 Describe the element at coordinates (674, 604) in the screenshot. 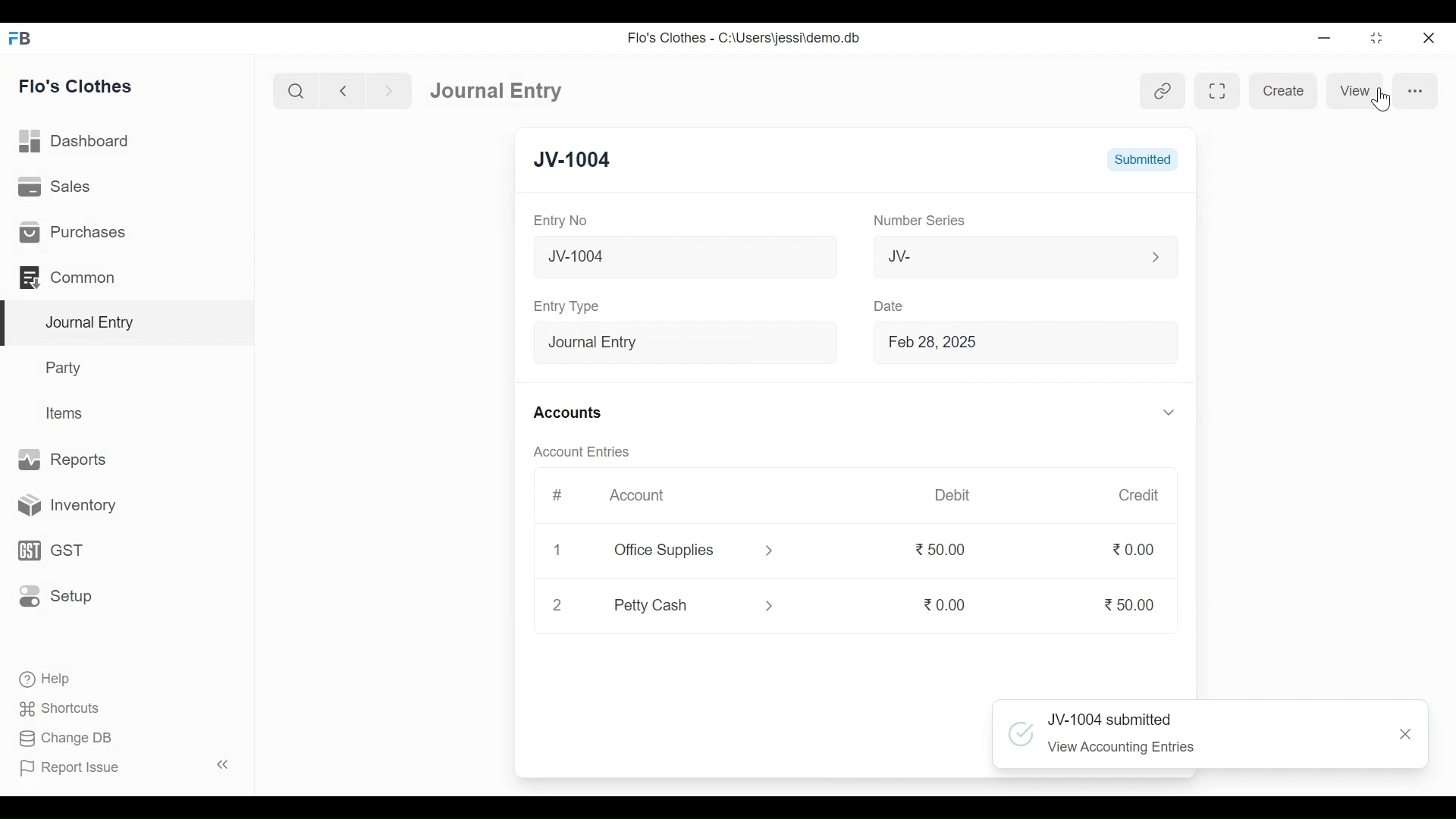

I see `Petty Cash` at that location.